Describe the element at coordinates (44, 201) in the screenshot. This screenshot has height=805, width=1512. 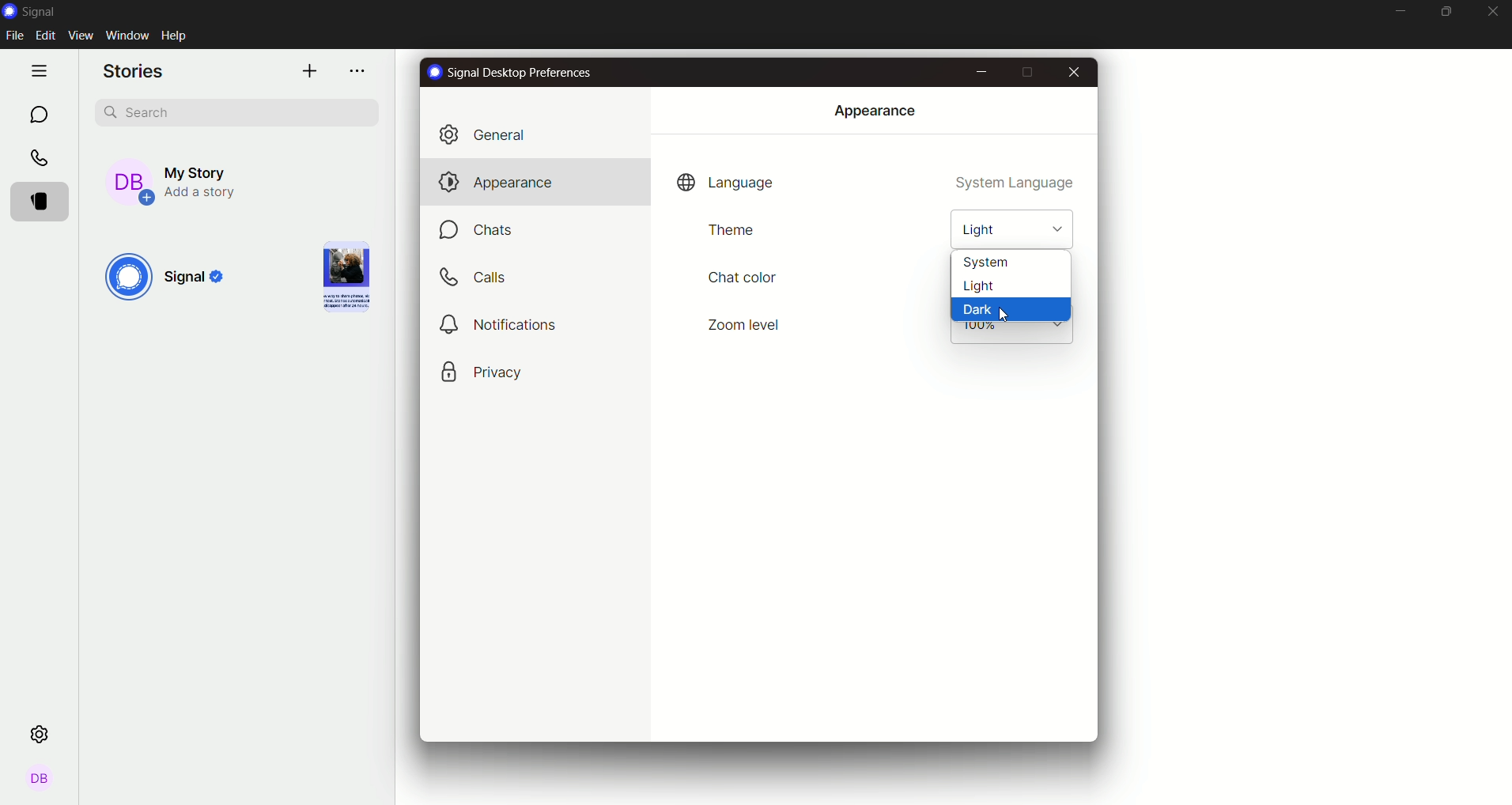
I see `stories` at that location.